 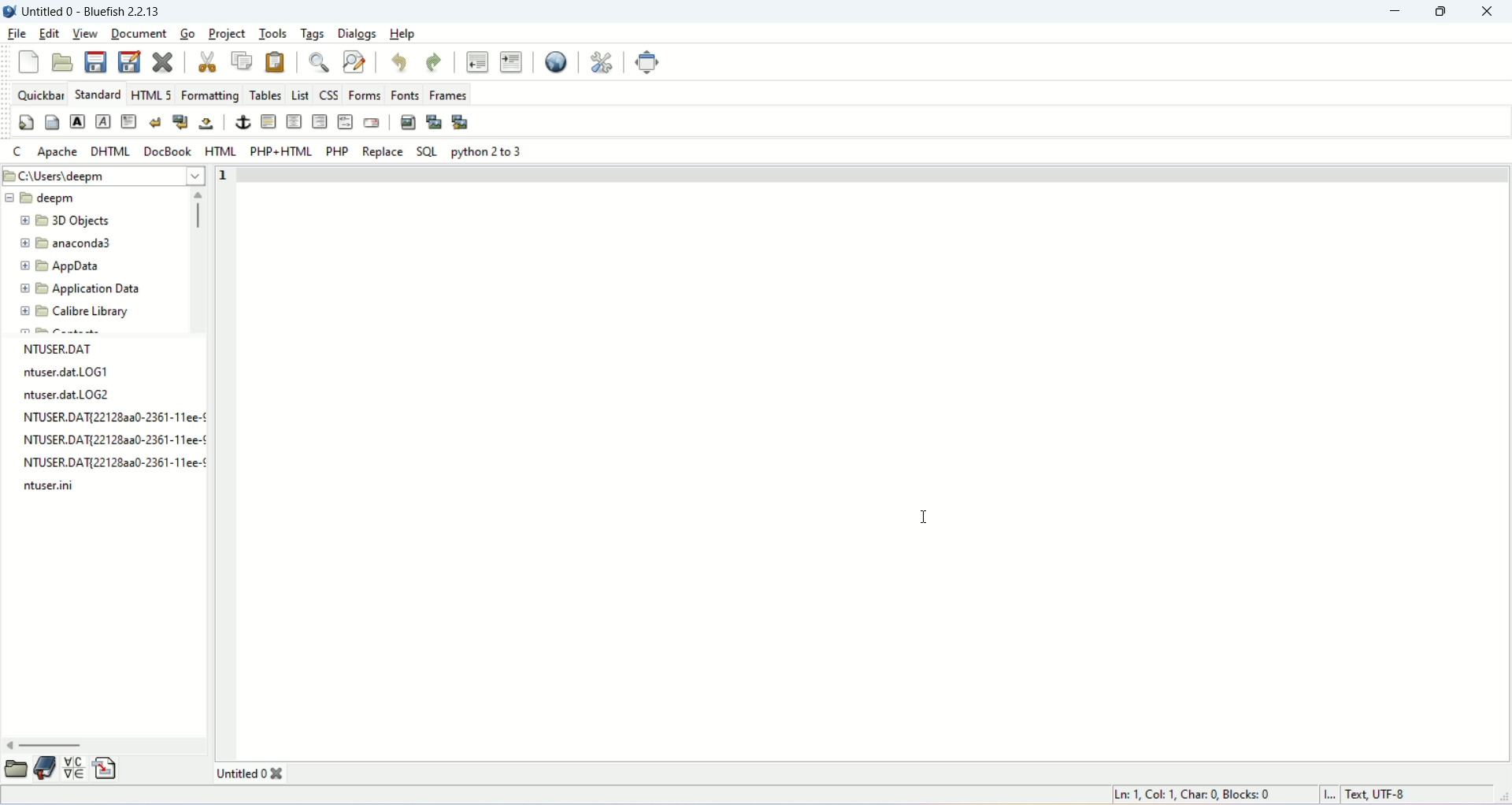 What do you see at coordinates (228, 175) in the screenshot?
I see `line number` at bounding box center [228, 175].